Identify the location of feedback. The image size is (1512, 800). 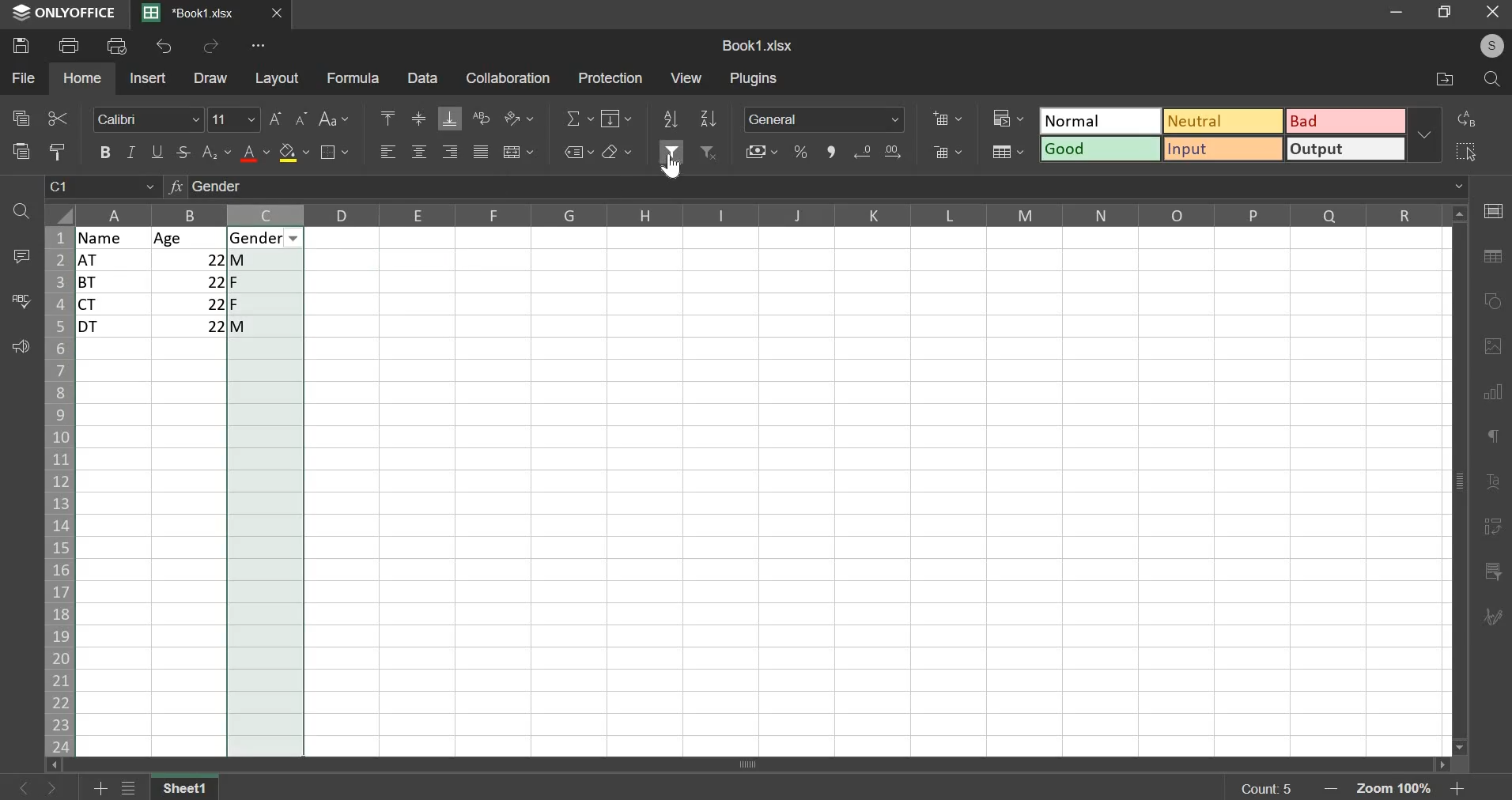
(18, 347).